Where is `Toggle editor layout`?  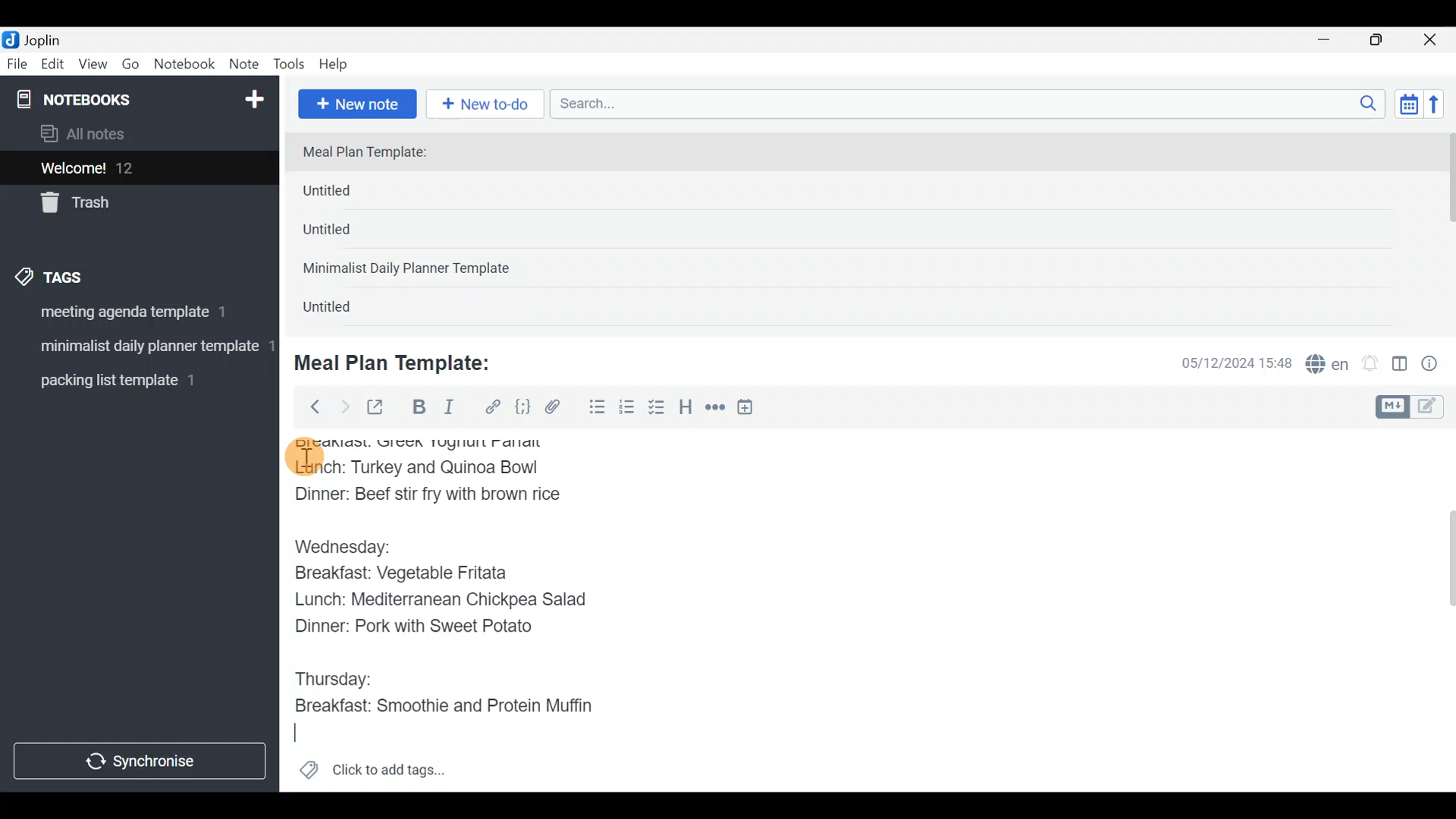 Toggle editor layout is located at coordinates (1401, 366).